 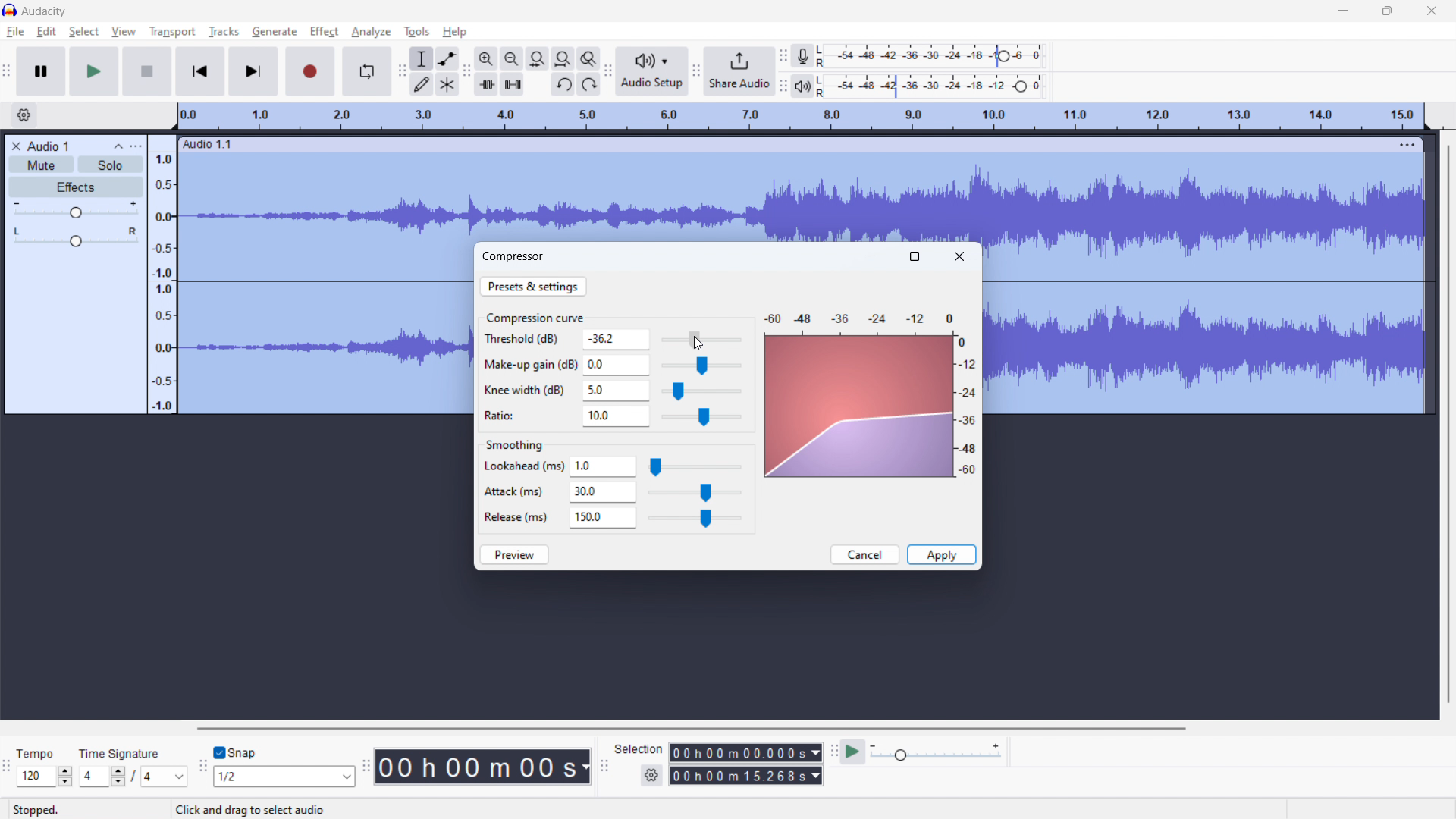 What do you see at coordinates (689, 728) in the screenshot?
I see `horizontal scrollbar` at bounding box center [689, 728].